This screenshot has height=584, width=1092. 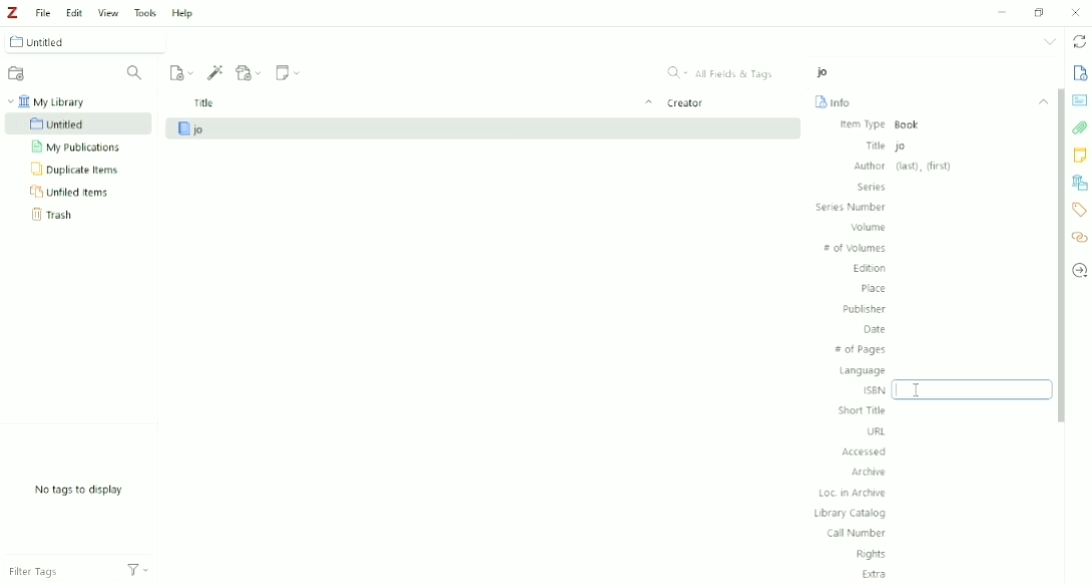 I want to click on Libraries and Collections, so click(x=1080, y=183).